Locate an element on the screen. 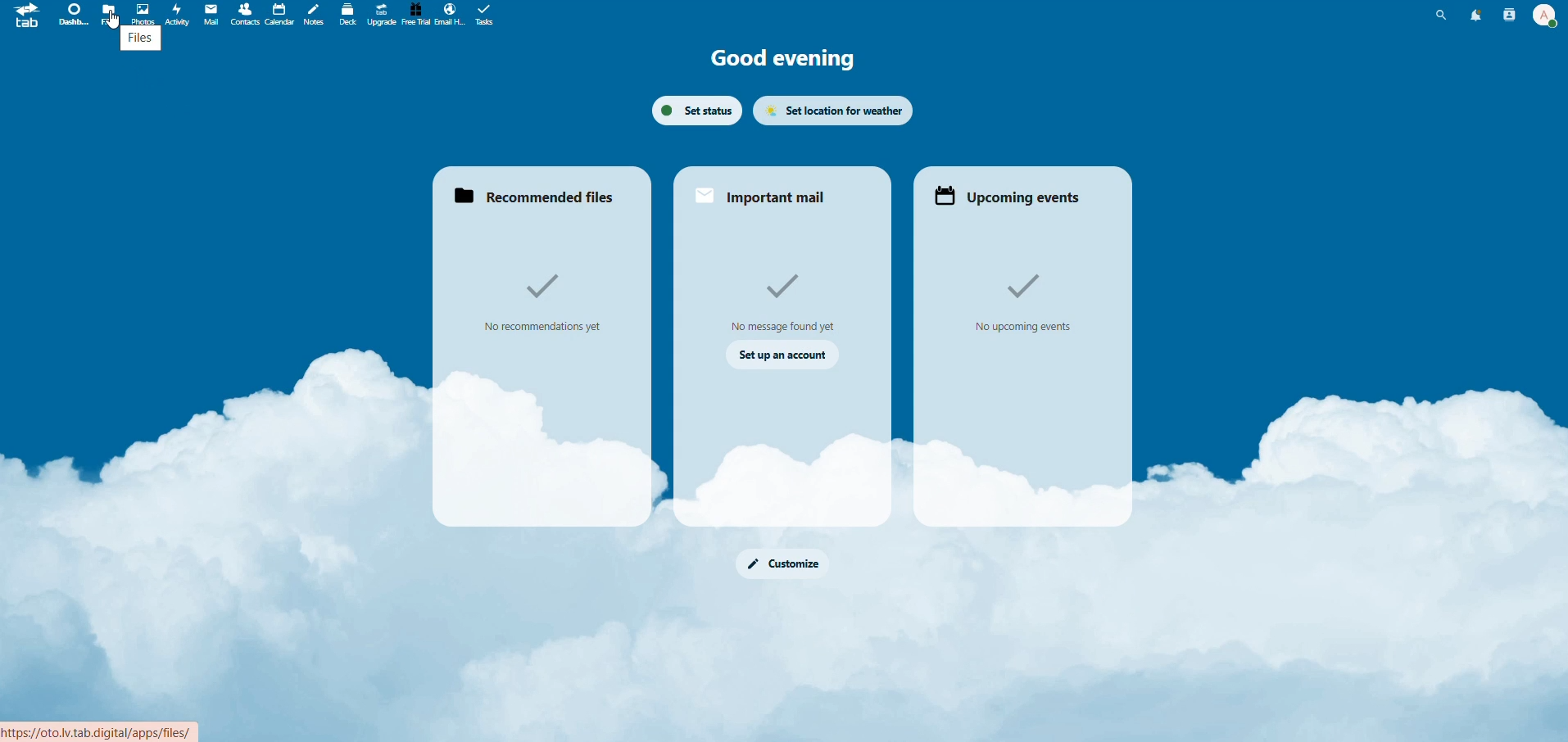 The width and height of the screenshot is (1568, 742). Set up an account is located at coordinates (785, 355).